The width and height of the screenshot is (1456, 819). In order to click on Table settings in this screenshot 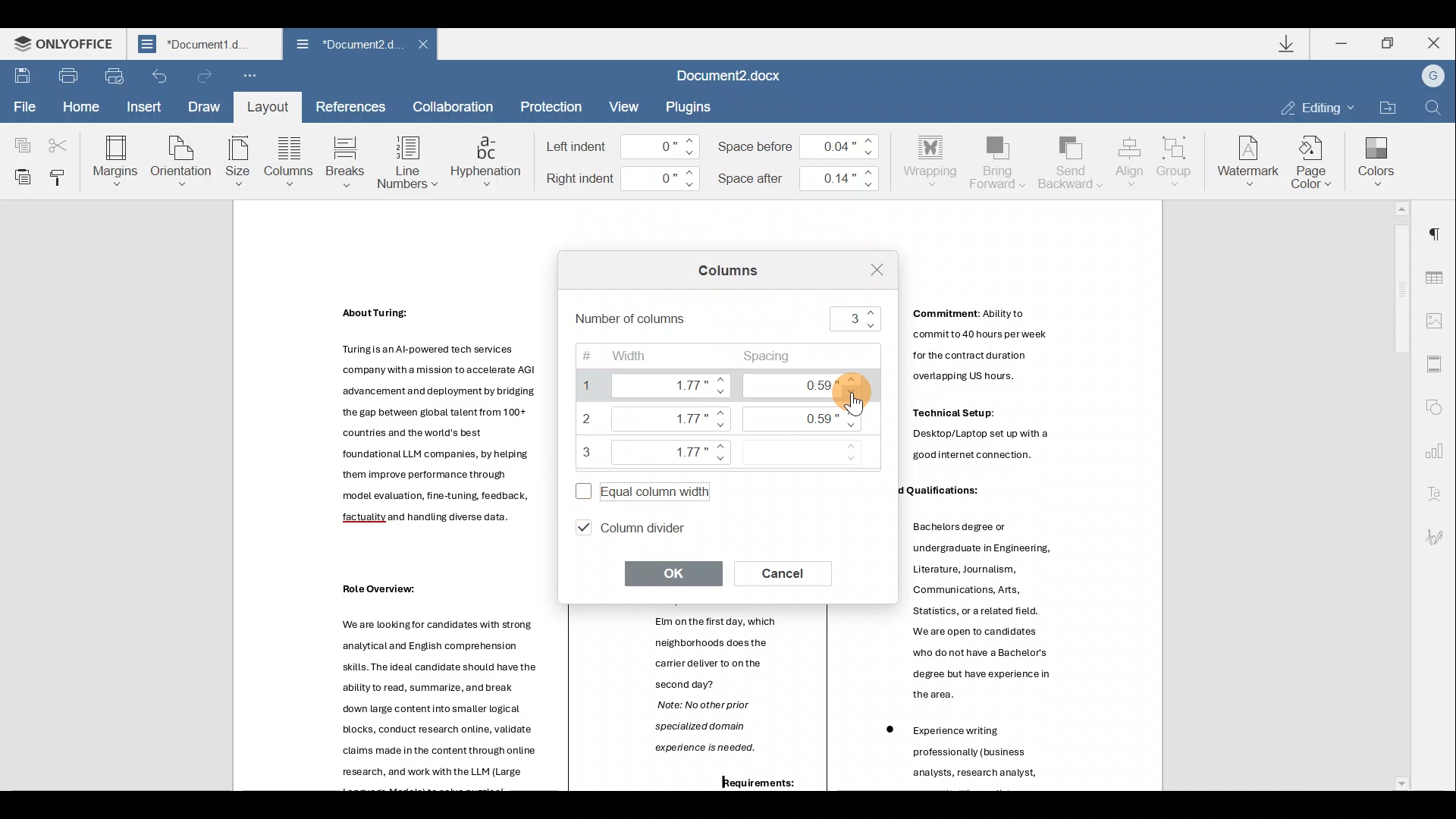, I will do `click(1439, 272)`.